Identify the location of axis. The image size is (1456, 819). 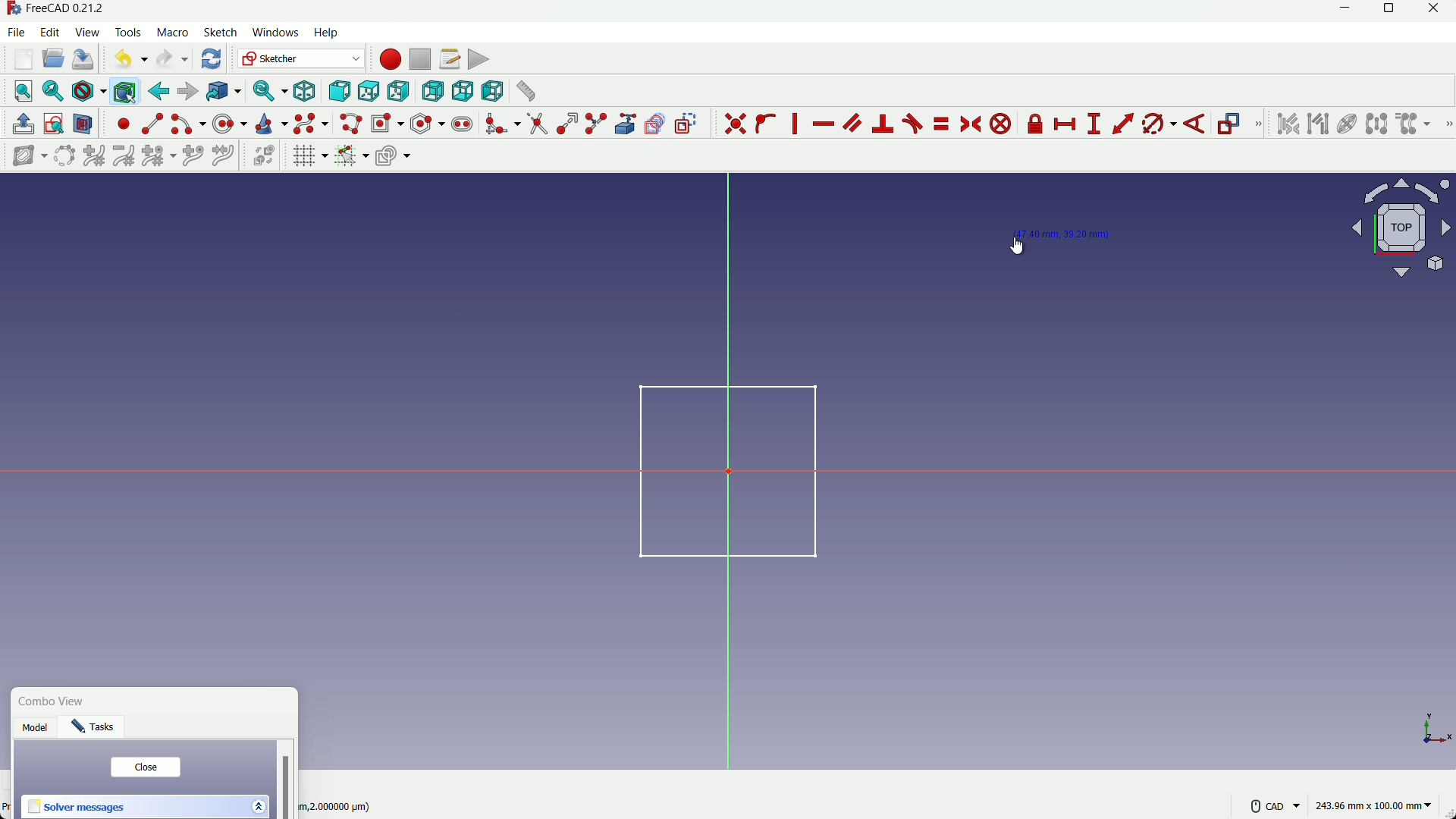
(1429, 729).